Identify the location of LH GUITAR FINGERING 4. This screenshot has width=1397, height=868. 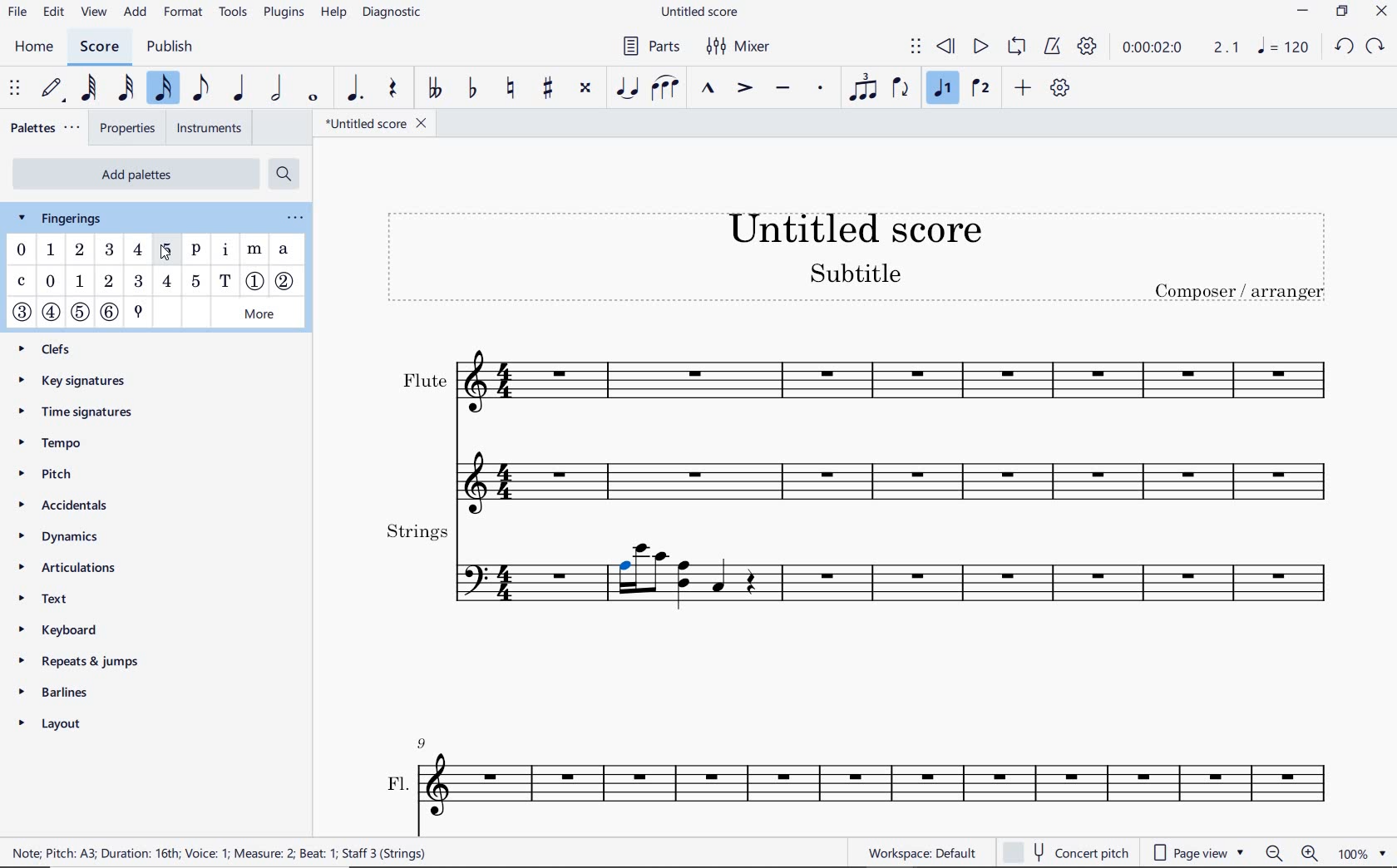
(166, 283).